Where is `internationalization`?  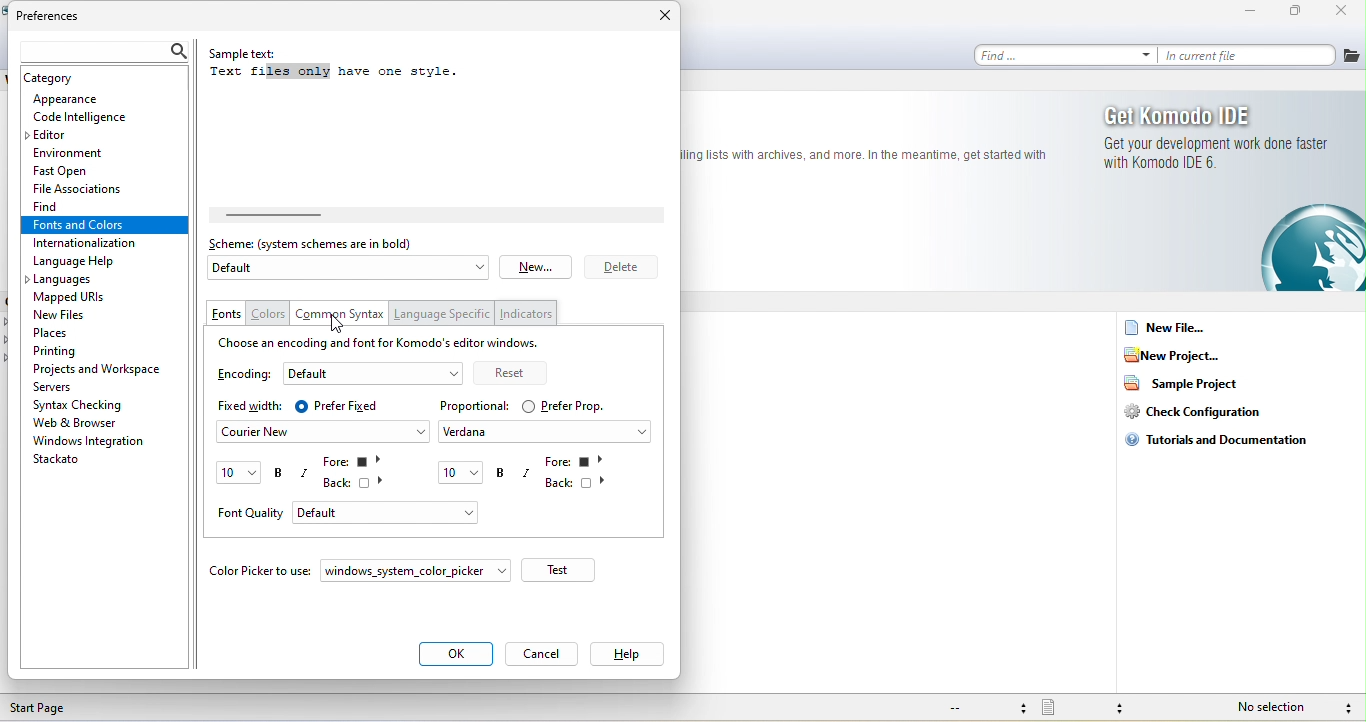
internationalization is located at coordinates (102, 243).